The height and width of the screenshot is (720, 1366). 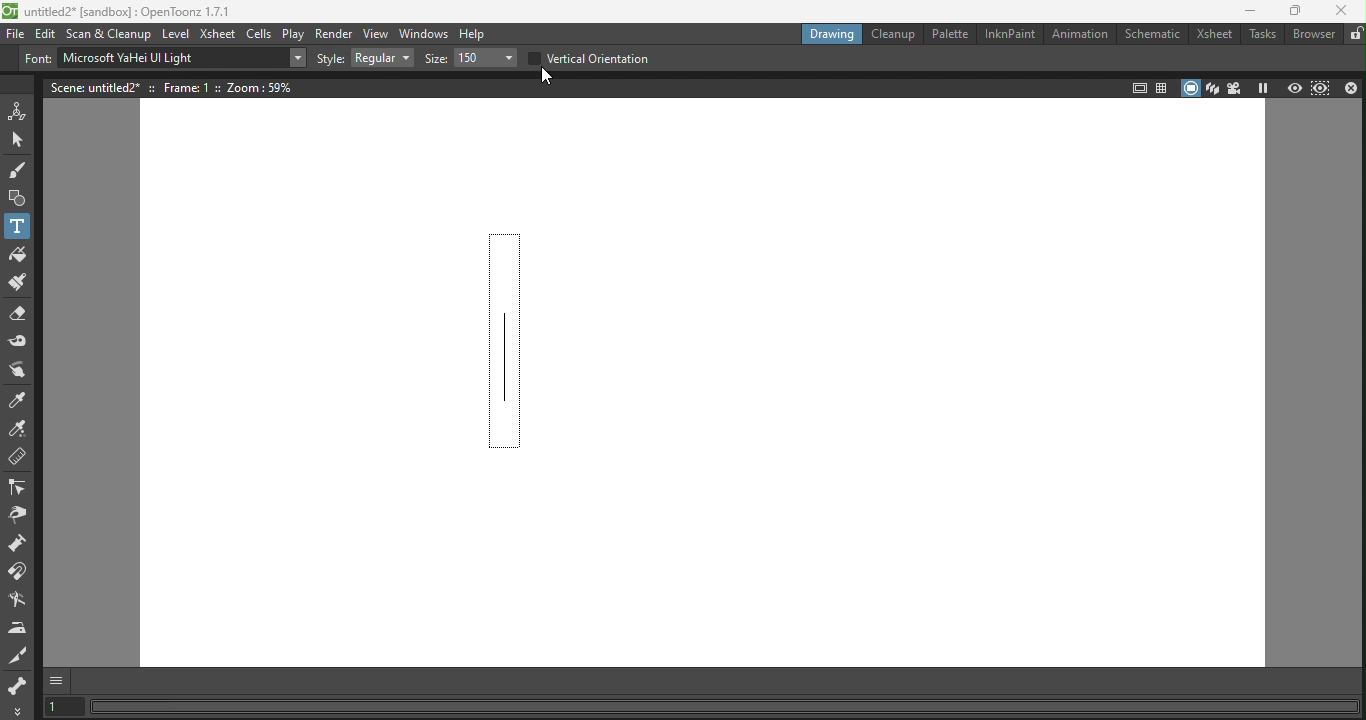 What do you see at coordinates (48, 34) in the screenshot?
I see `edit` at bounding box center [48, 34].